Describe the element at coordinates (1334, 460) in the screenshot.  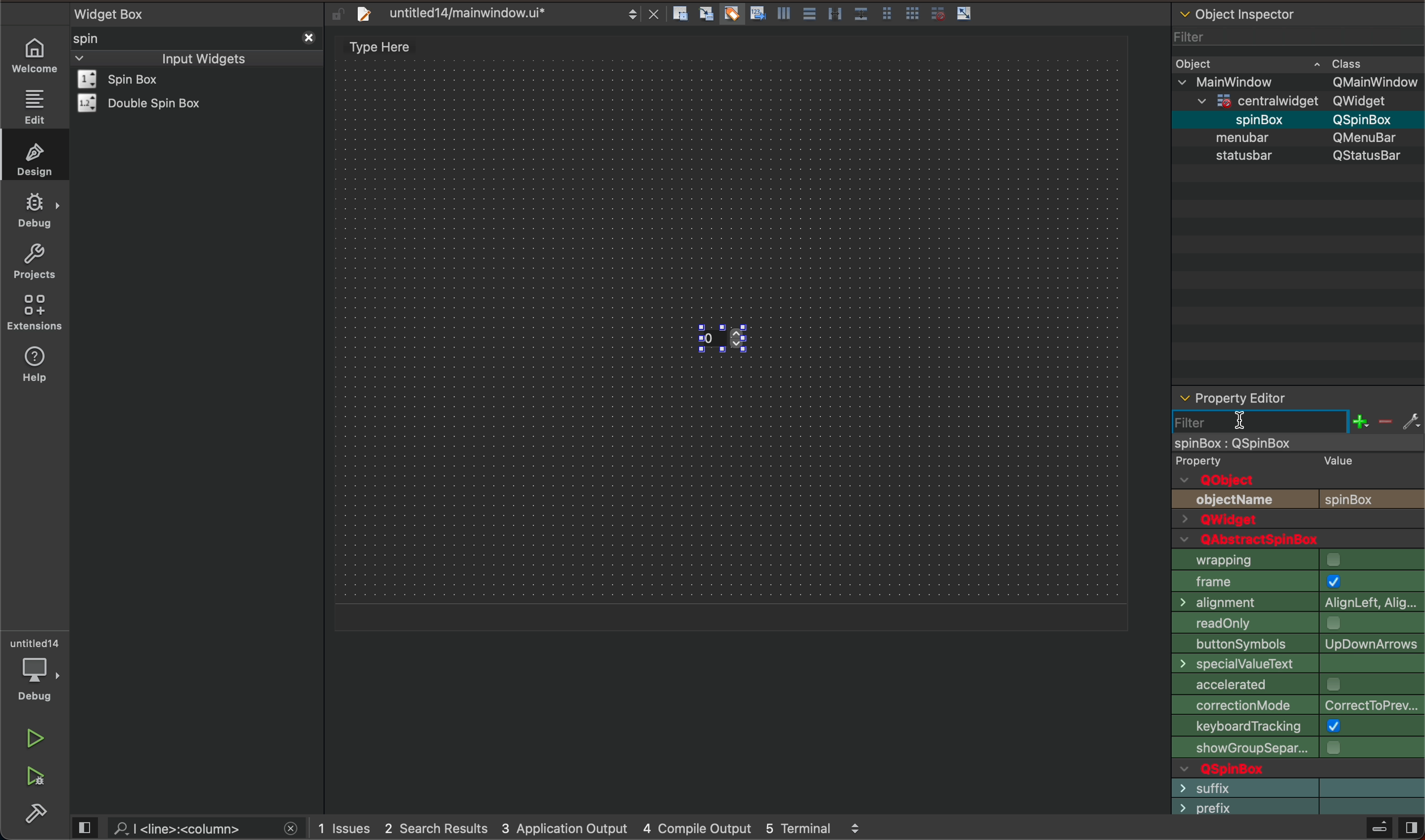
I see `text` at that location.